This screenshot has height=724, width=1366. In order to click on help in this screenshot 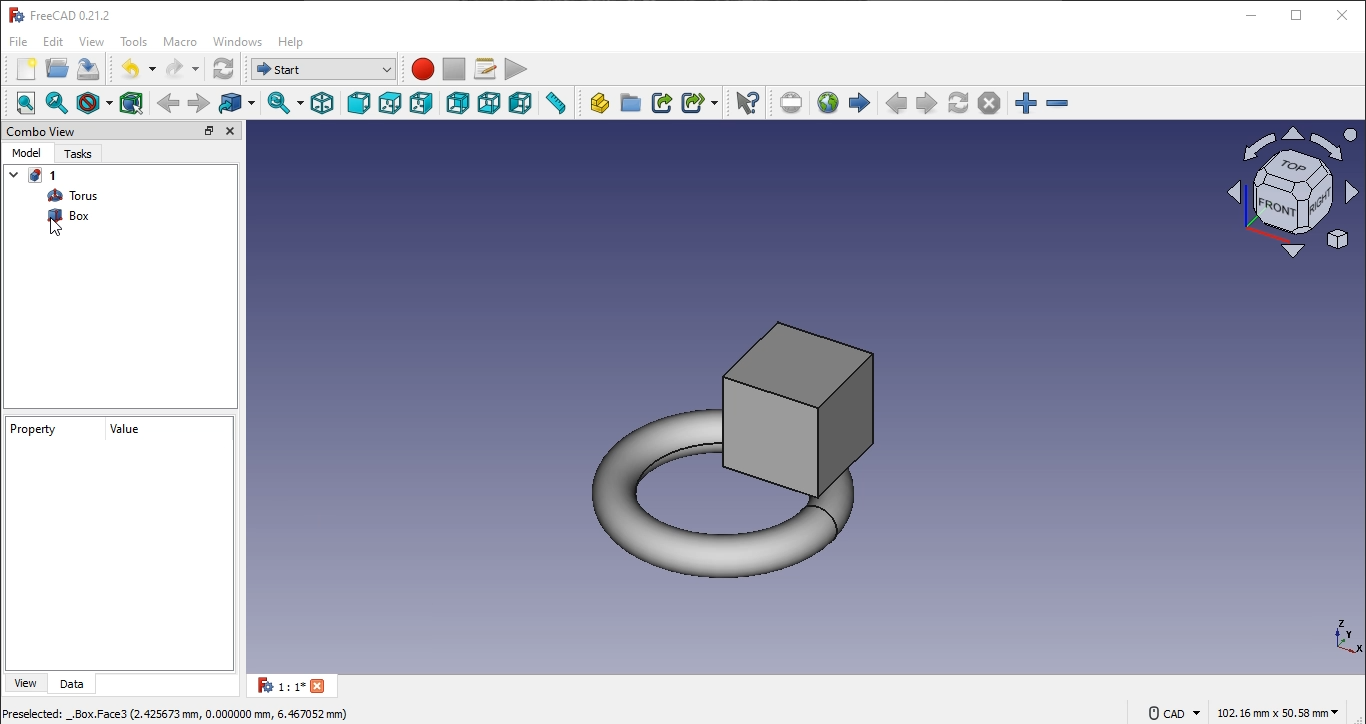, I will do `click(293, 42)`.